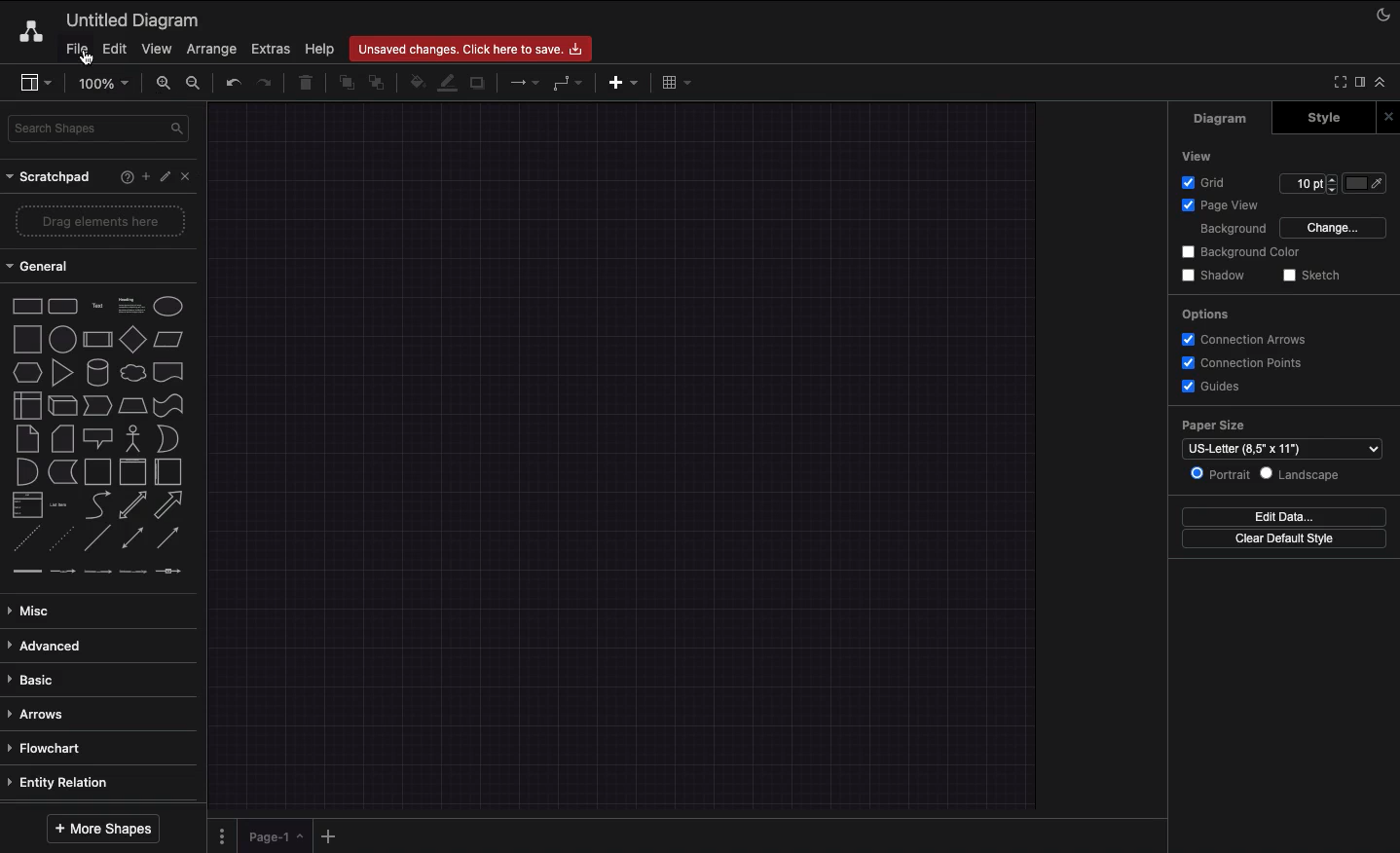 The height and width of the screenshot is (853, 1400). What do you see at coordinates (26, 404) in the screenshot?
I see `Internal storage` at bounding box center [26, 404].